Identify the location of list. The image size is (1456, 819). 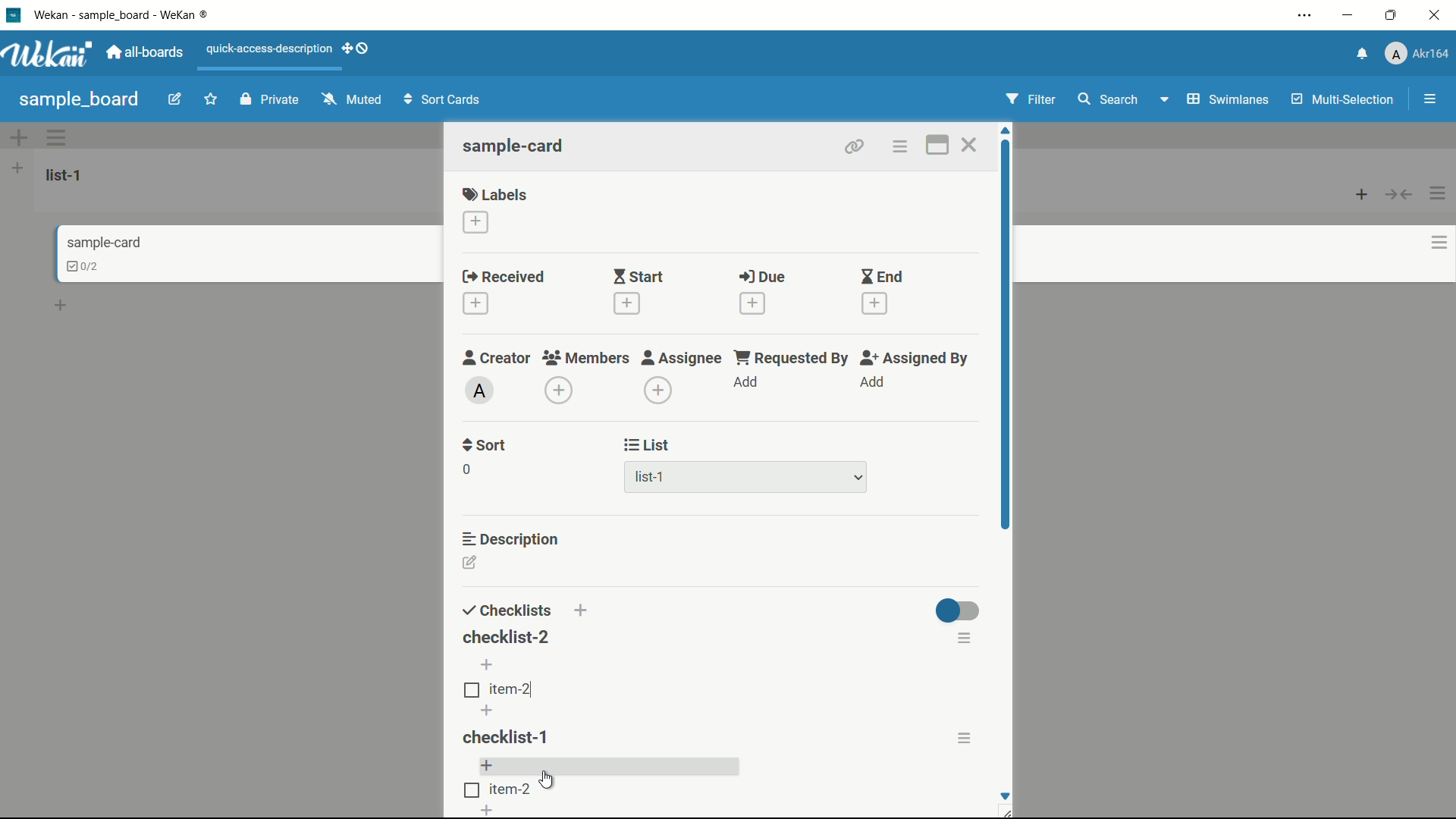
(648, 445).